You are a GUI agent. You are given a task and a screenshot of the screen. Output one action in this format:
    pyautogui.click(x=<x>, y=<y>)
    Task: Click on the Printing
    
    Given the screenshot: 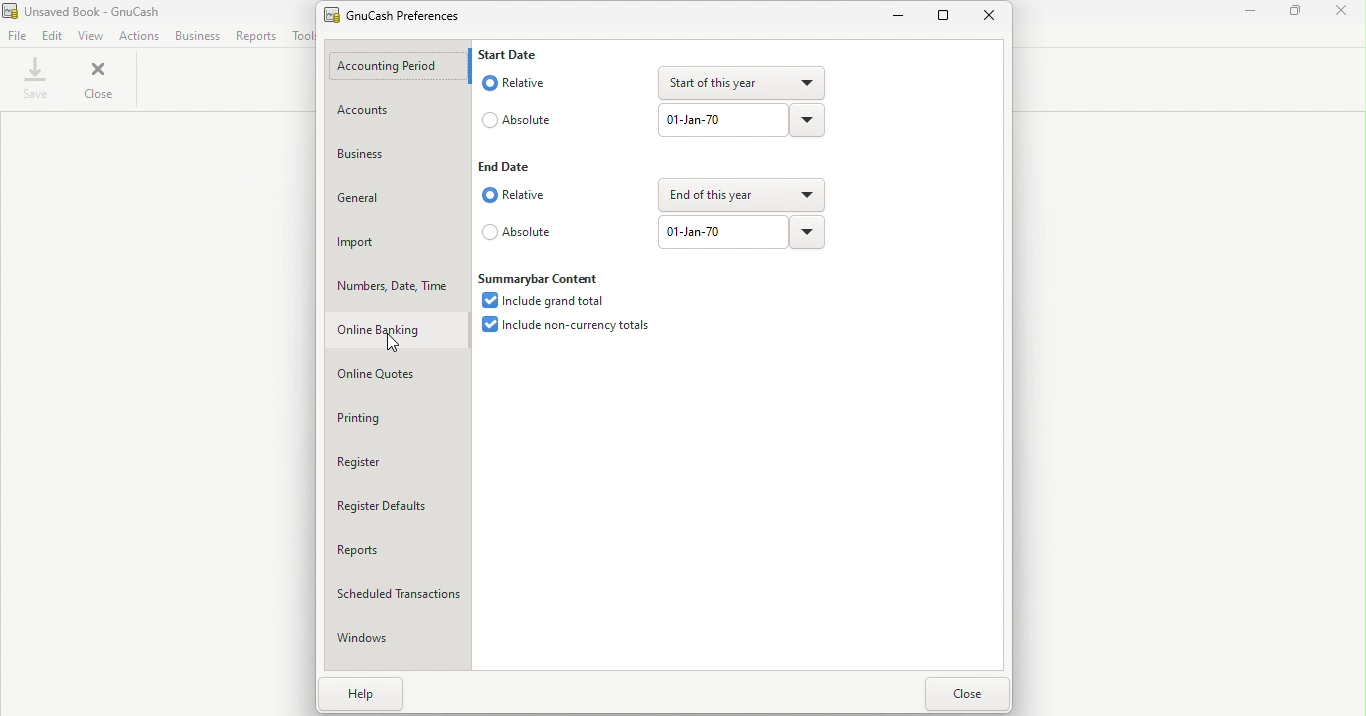 What is the action you would take?
    pyautogui.click(x=397, y=420)
    